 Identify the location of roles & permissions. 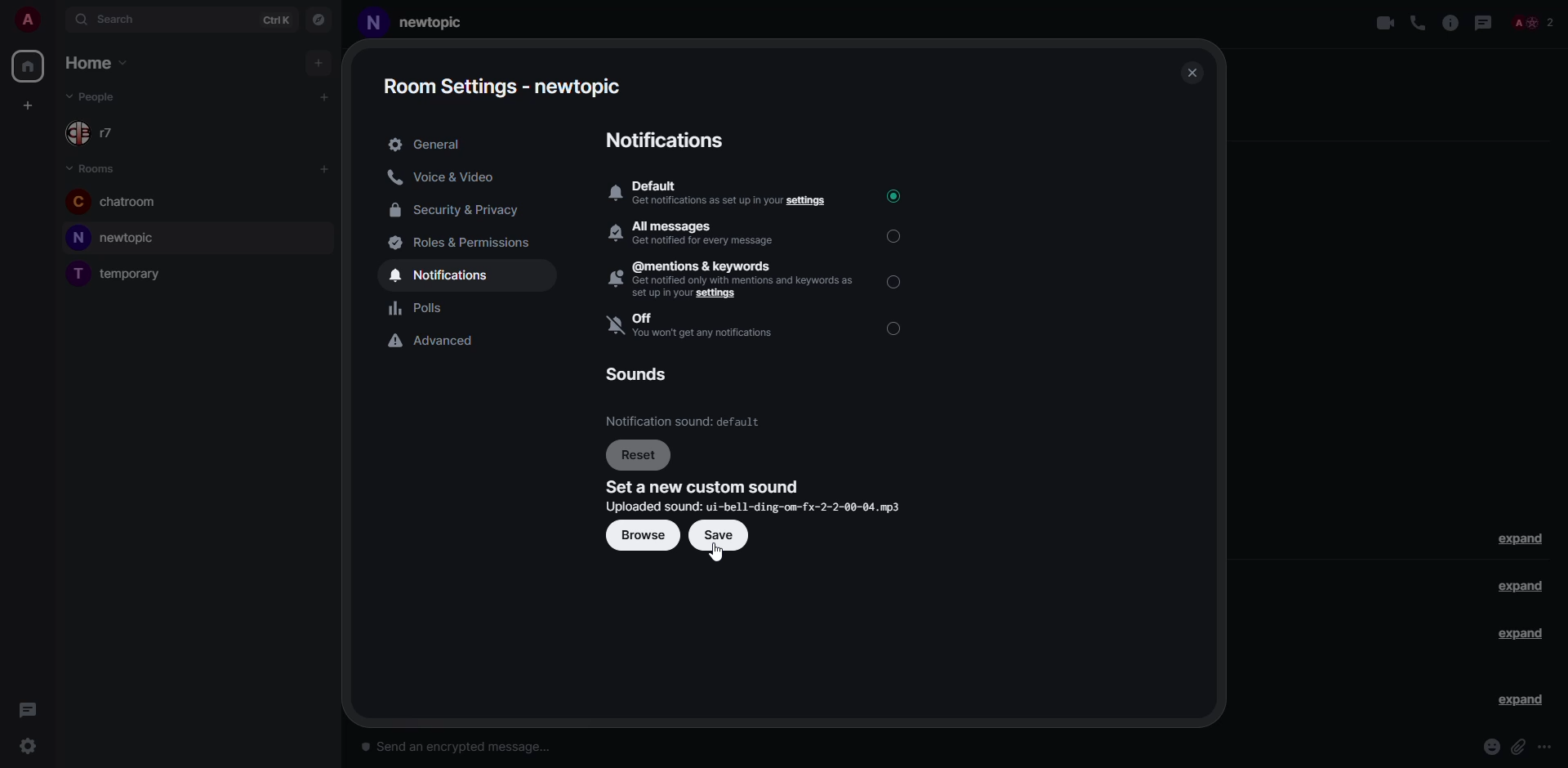
(465, 241).